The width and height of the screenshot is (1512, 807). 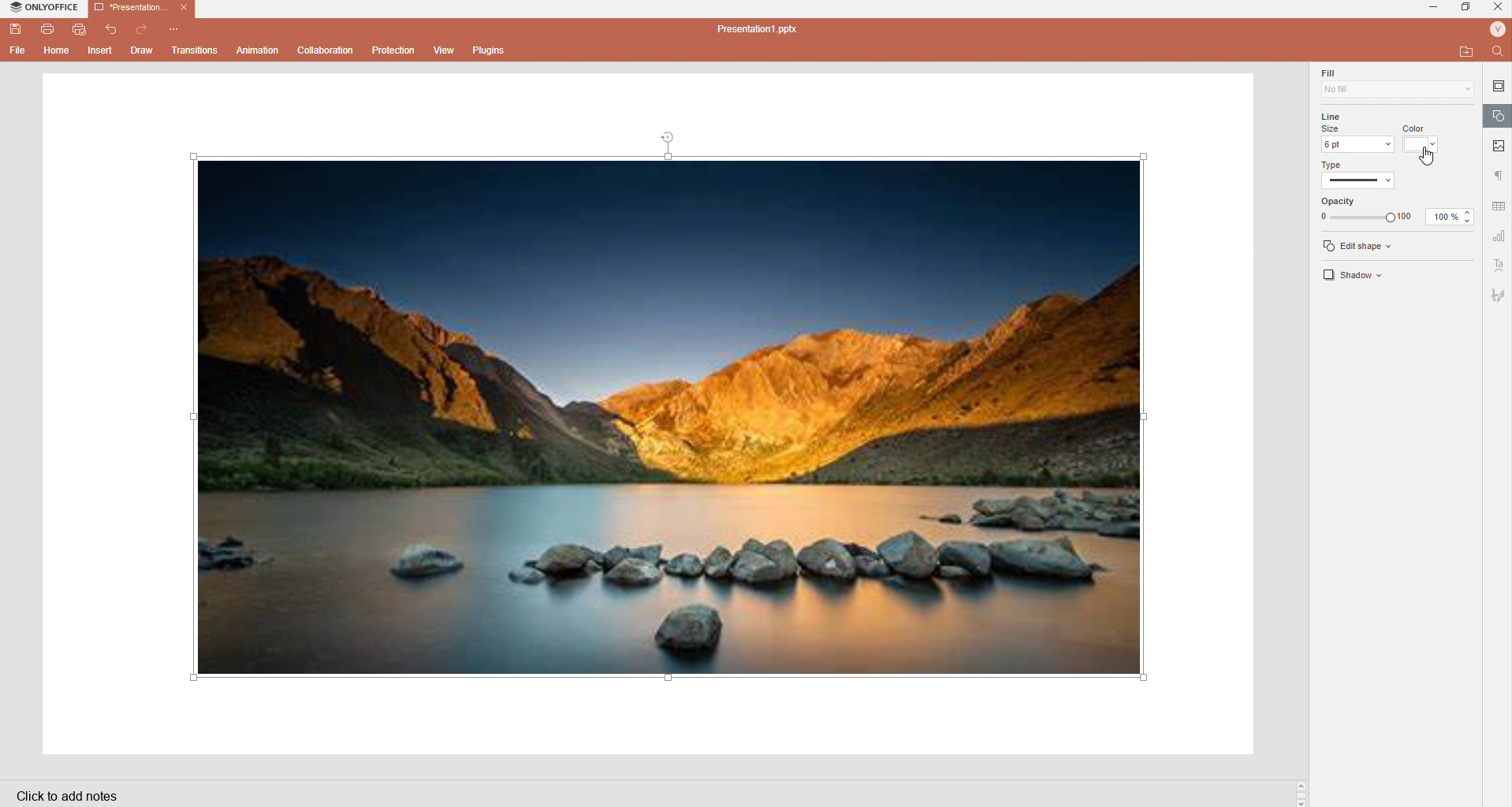 What do you see at coordinates (1497, 50) in the screenshot?
I see `Find` at bounding box center [1497, 50].